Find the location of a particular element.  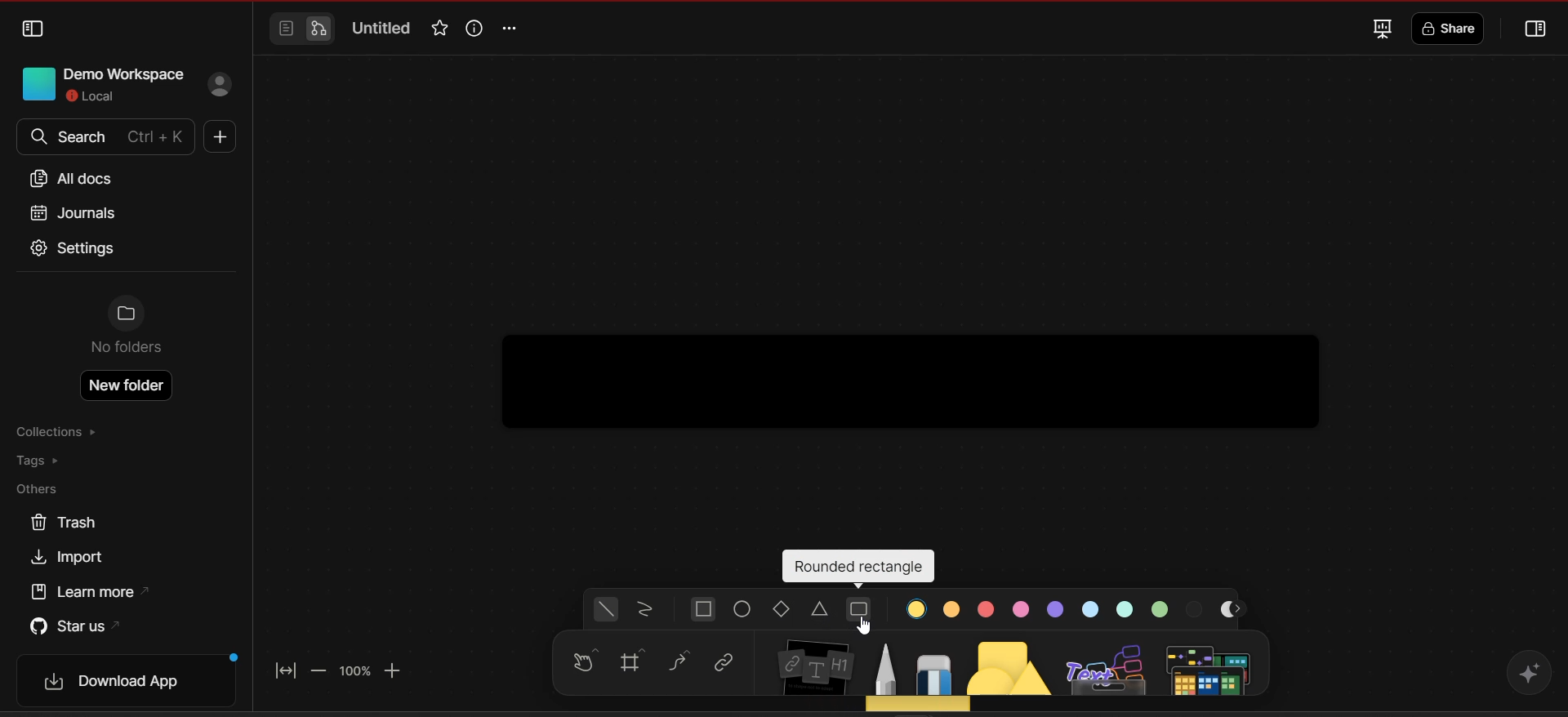

zoom in is located at coordinates (396, 670).